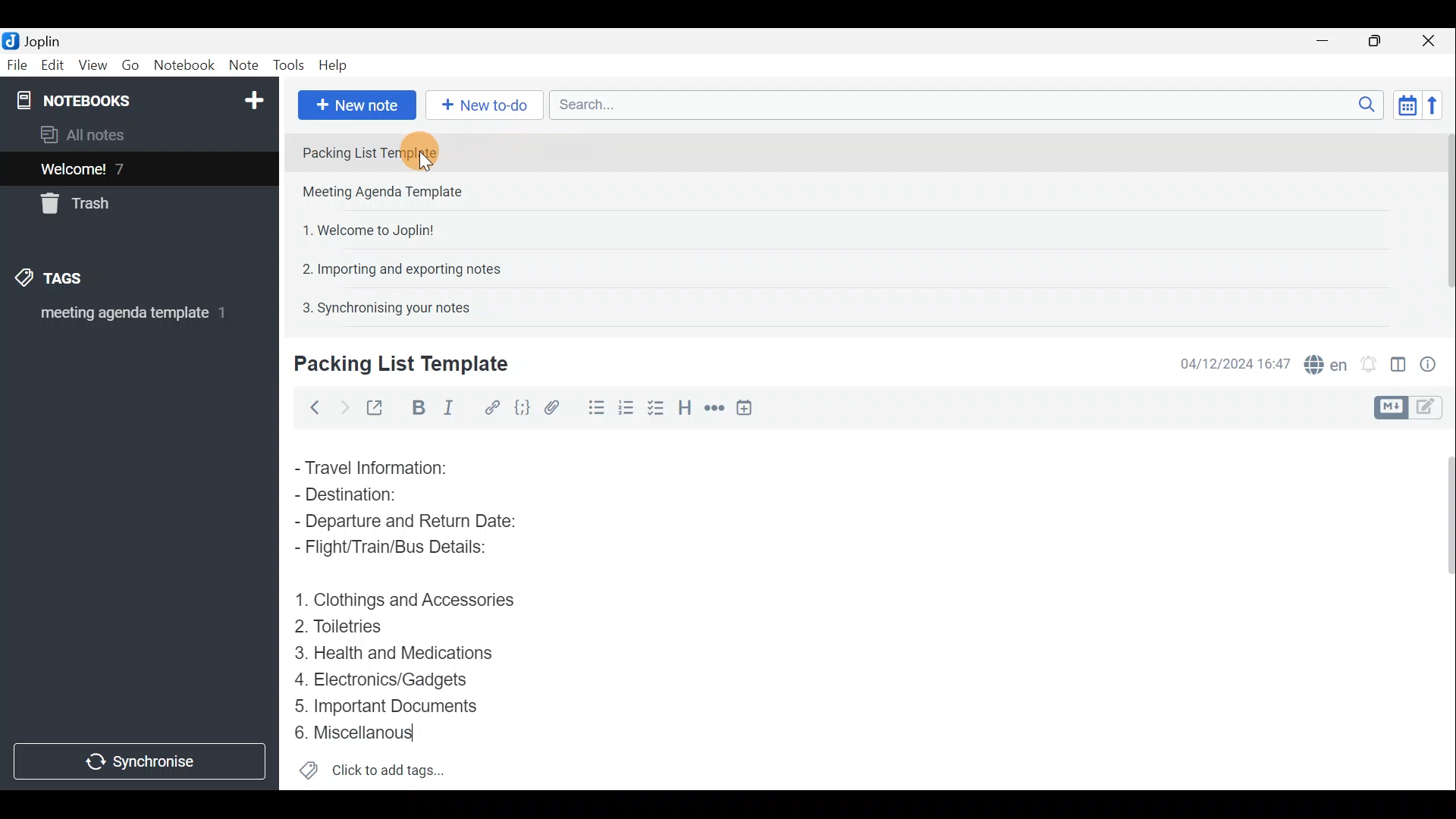  I want to click on Notebook, so click(184, 67).